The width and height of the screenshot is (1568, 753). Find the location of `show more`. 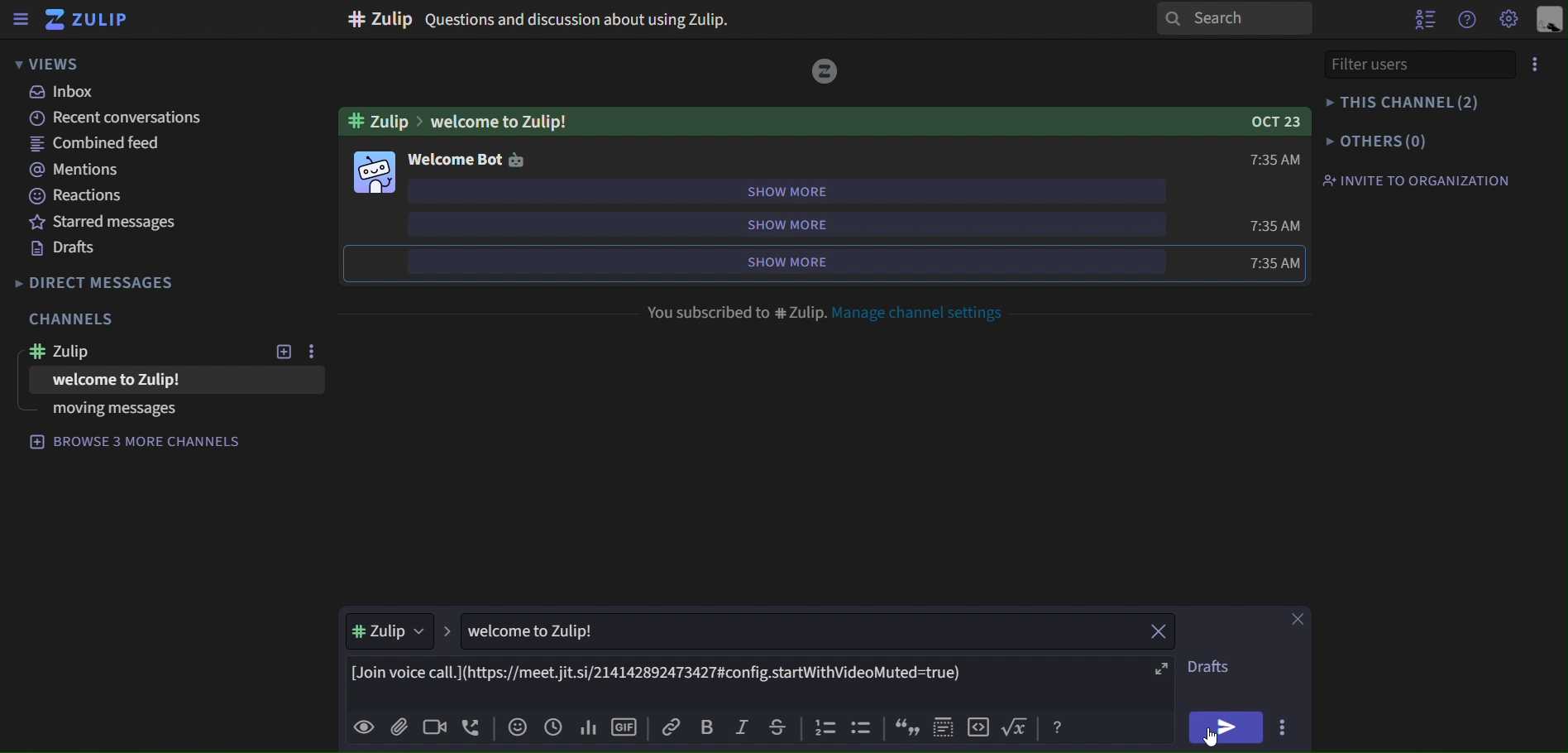

show more is located at coordinates (820, 261).